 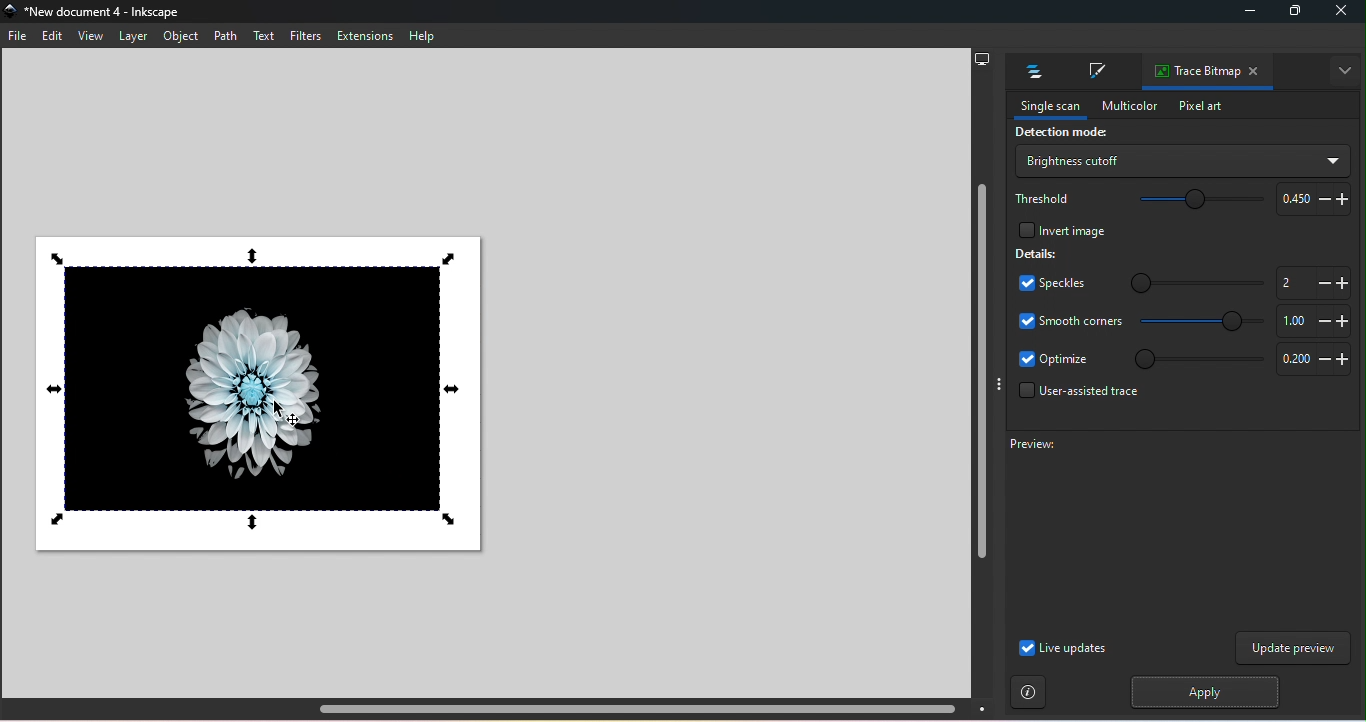 I want to click on Pixel art, so click(x=1200, y=107).